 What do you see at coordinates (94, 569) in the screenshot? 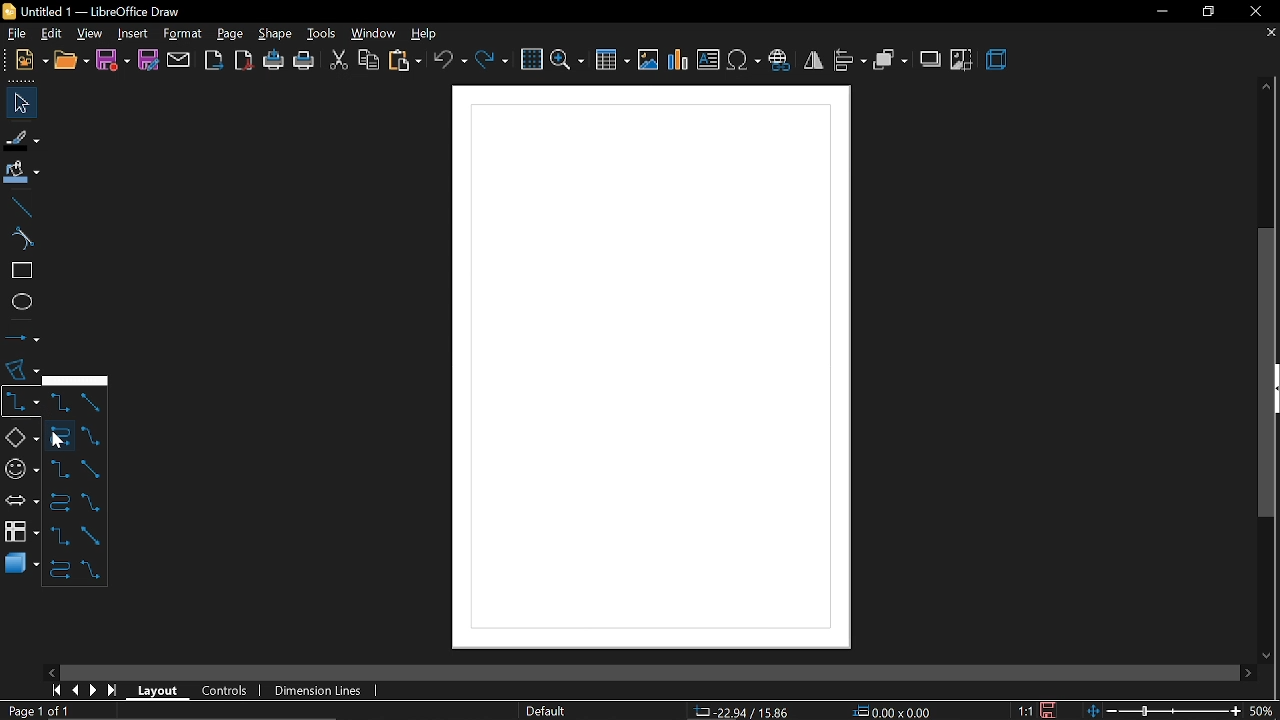
I see `Line connector with arrows` at bounding box center [94, 569].